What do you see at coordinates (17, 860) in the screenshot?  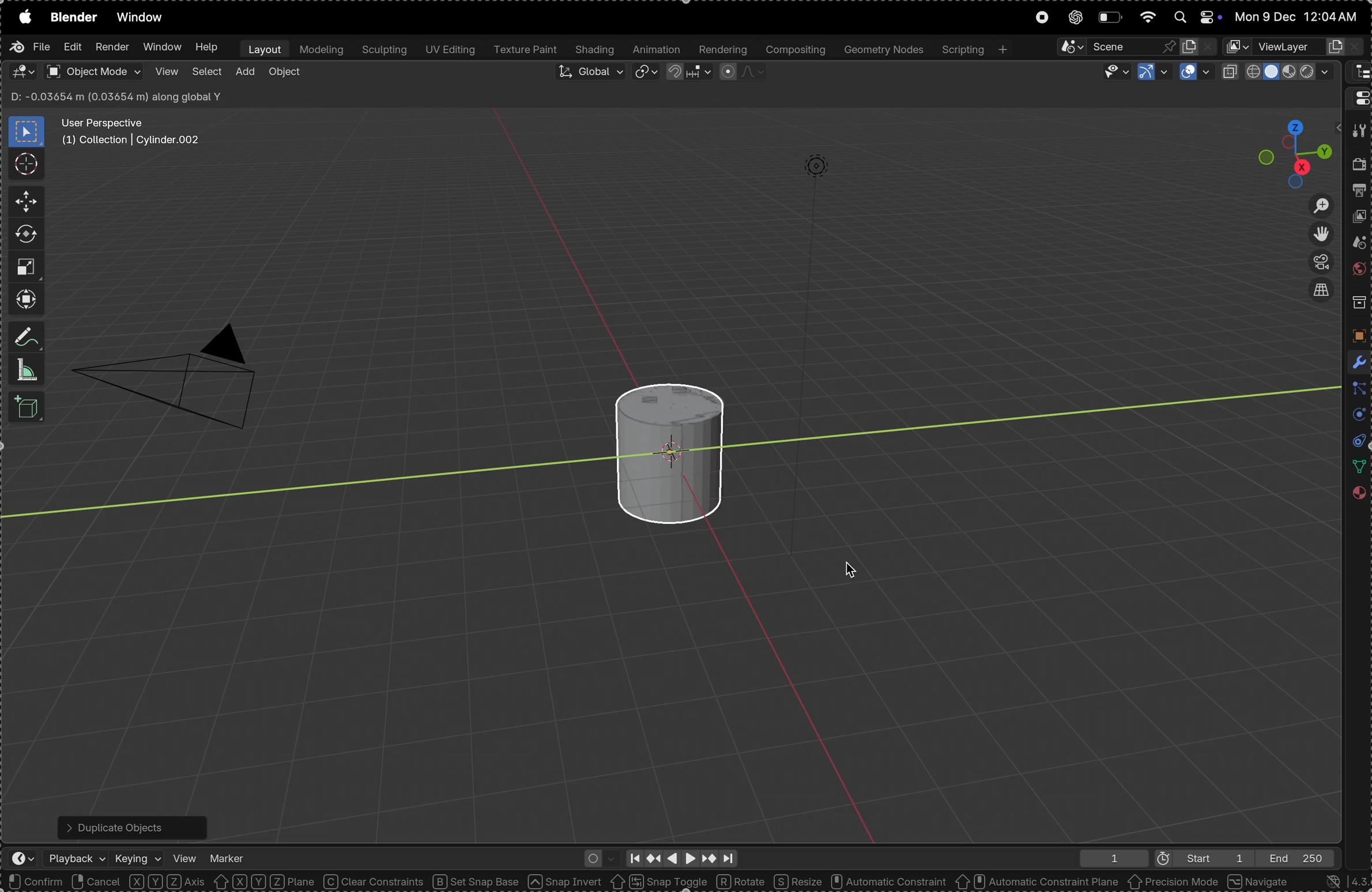 I see `editor type` at bounding box center [17, 860].